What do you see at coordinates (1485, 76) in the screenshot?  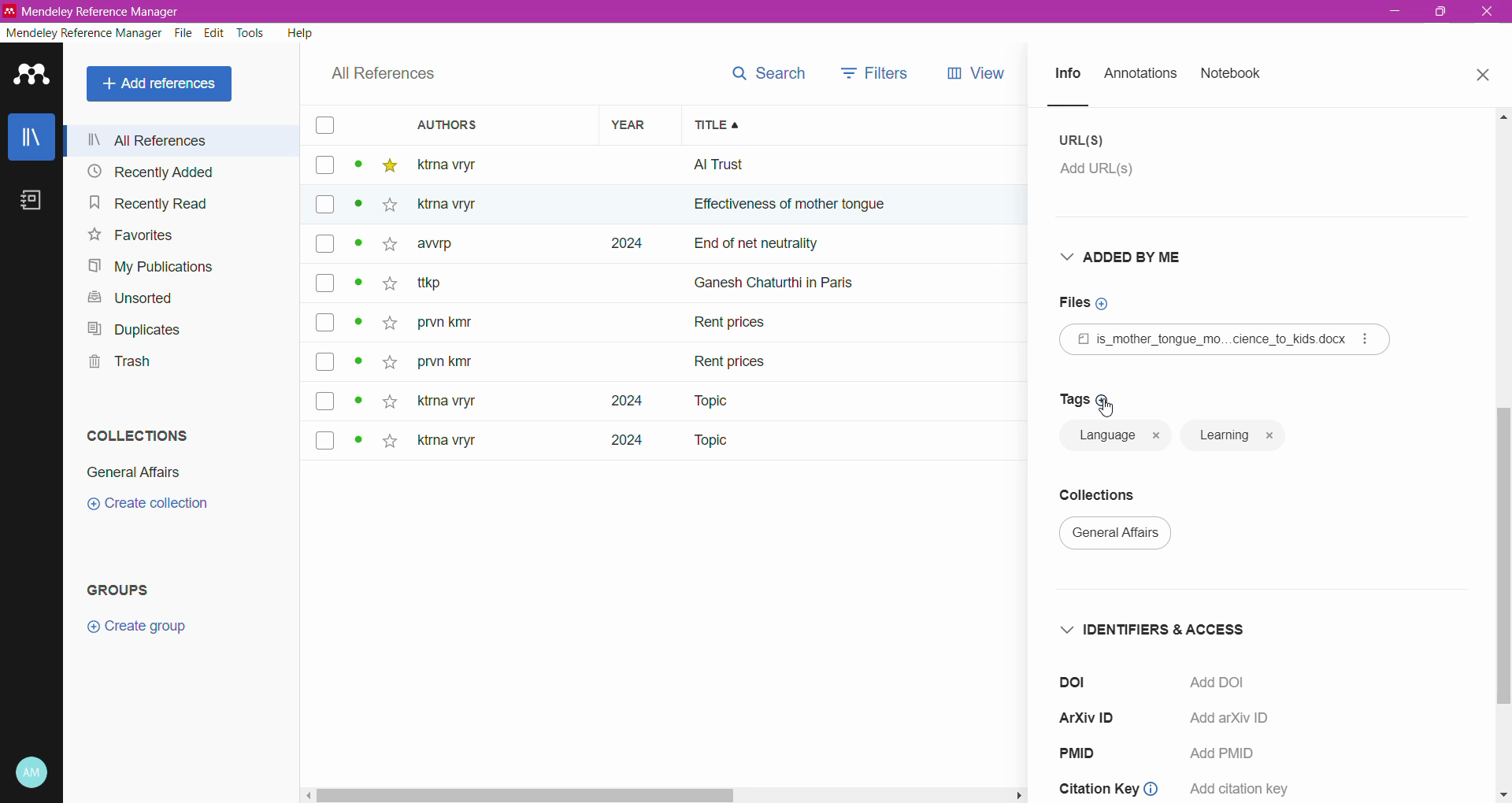 I see `Close Tab` at bounding box center [1485, 76].